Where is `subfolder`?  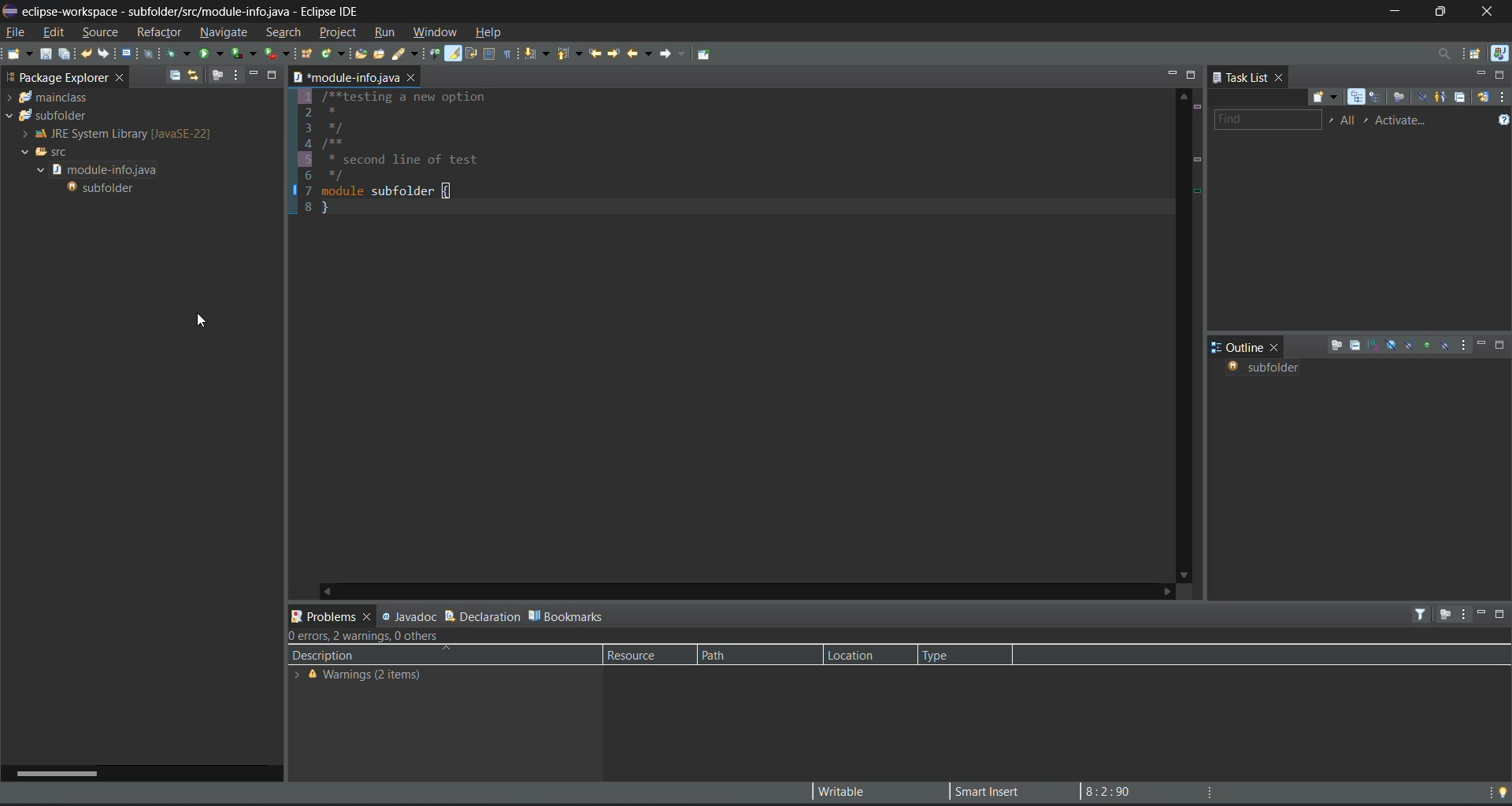 subfolder is located at coordinates (1262, 368).